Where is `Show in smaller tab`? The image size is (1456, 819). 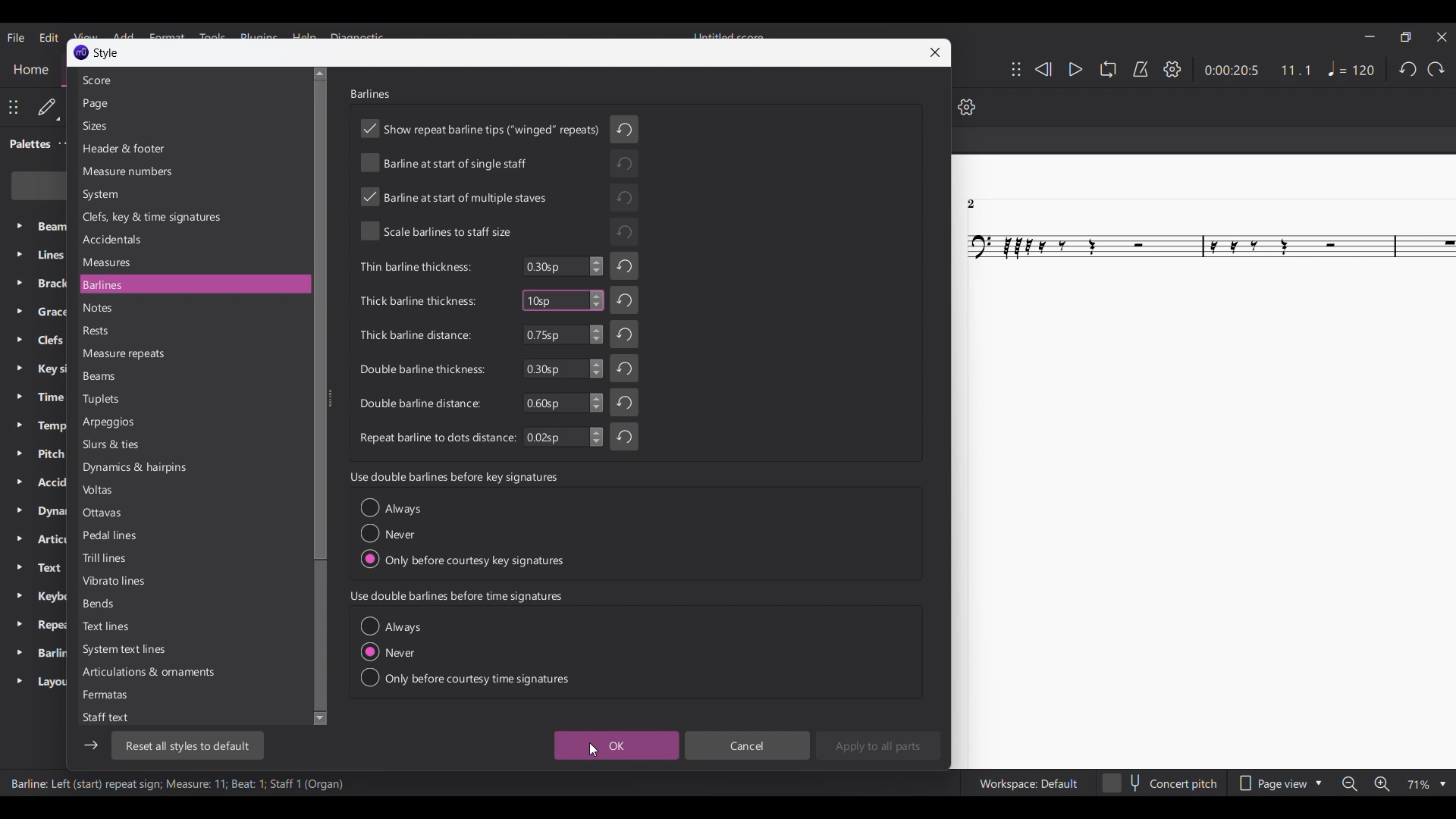 Show in smaller tab is located at coordinates (1406, 36).